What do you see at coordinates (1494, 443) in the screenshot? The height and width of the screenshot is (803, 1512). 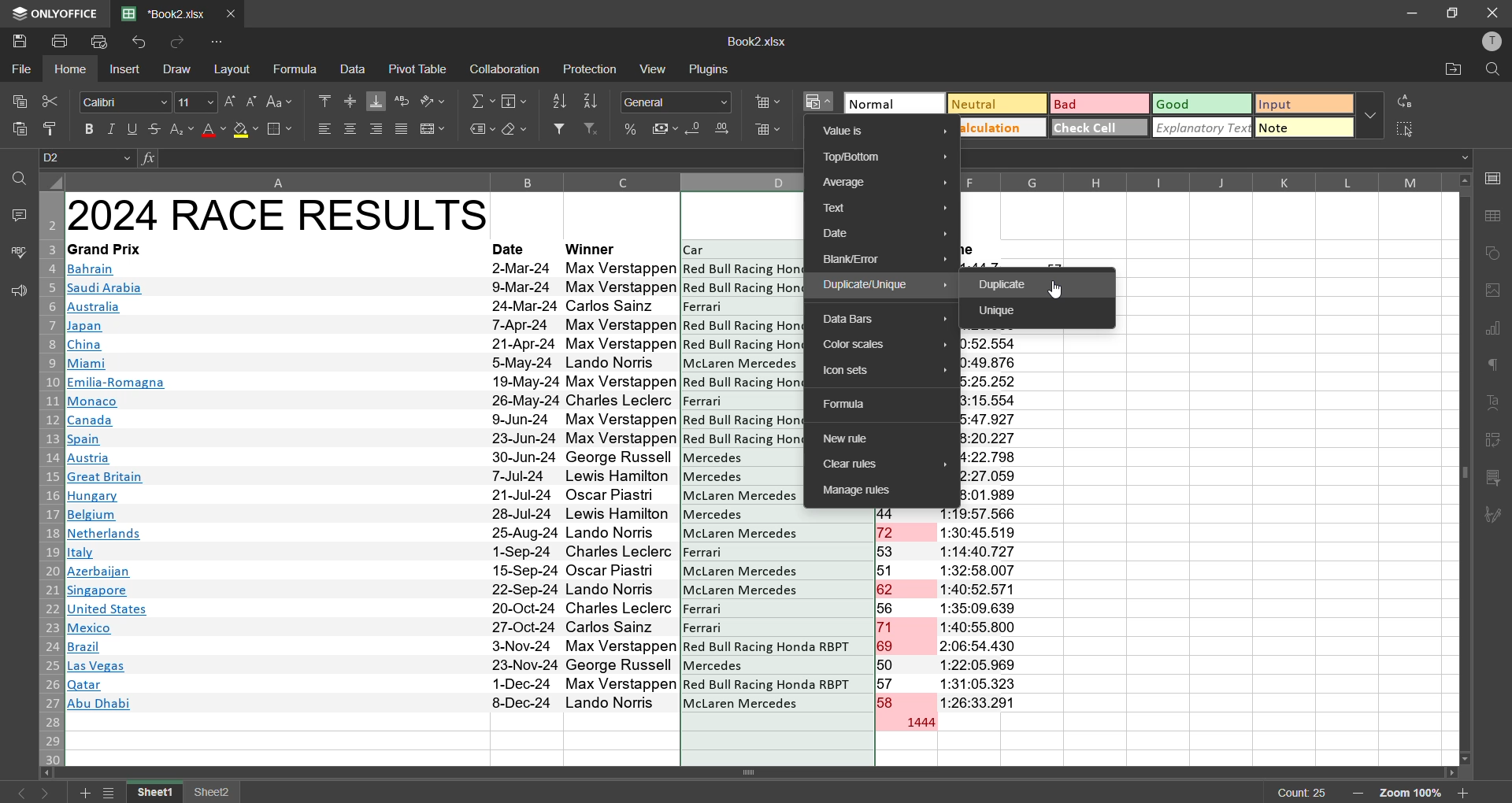 I see `pivot table` at bounding box center [1494, 443].